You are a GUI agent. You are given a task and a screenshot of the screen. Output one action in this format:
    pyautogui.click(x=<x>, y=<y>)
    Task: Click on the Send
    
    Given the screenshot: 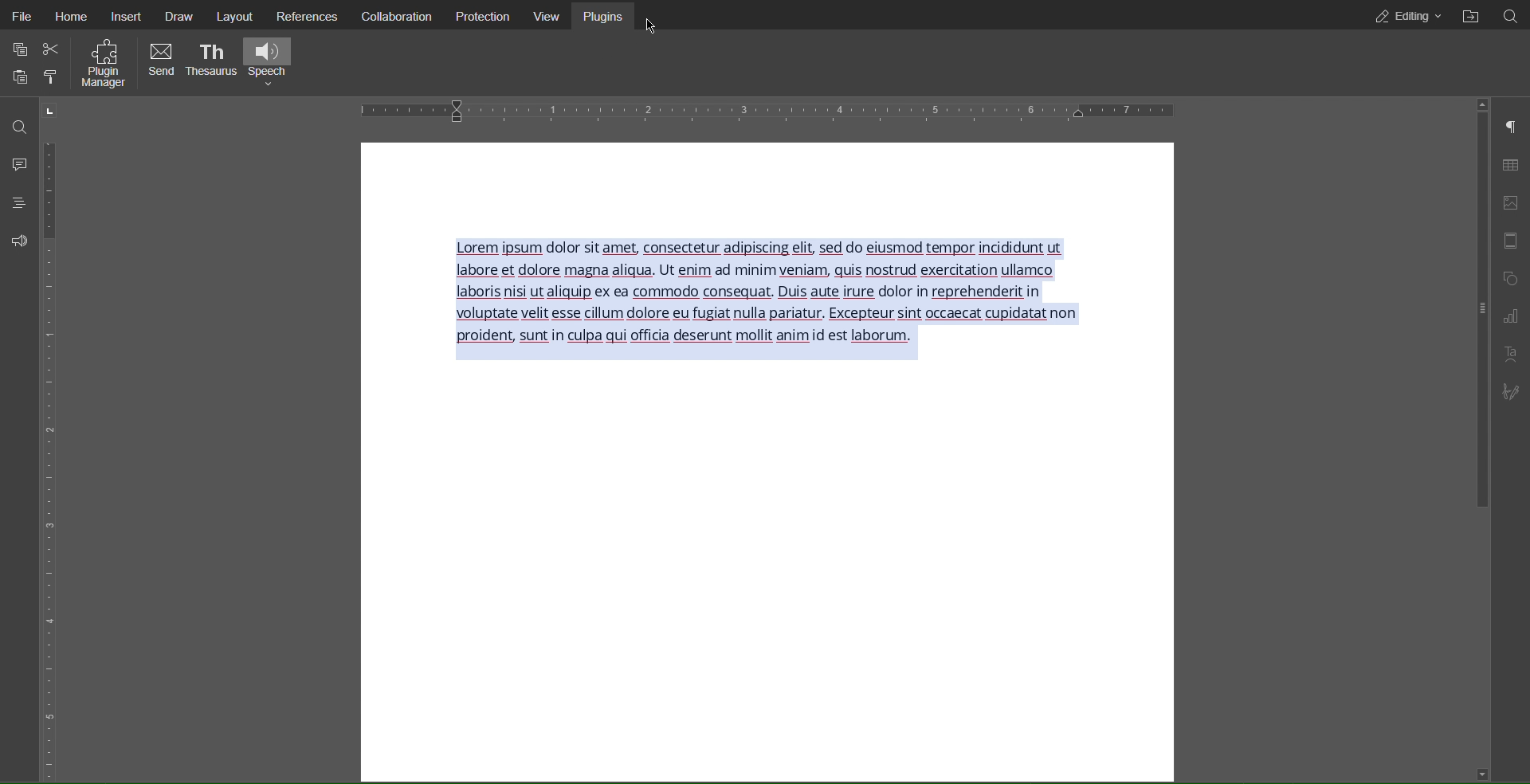 What is the action you would take?
    pyautogui.click(x=161, y=62)
    